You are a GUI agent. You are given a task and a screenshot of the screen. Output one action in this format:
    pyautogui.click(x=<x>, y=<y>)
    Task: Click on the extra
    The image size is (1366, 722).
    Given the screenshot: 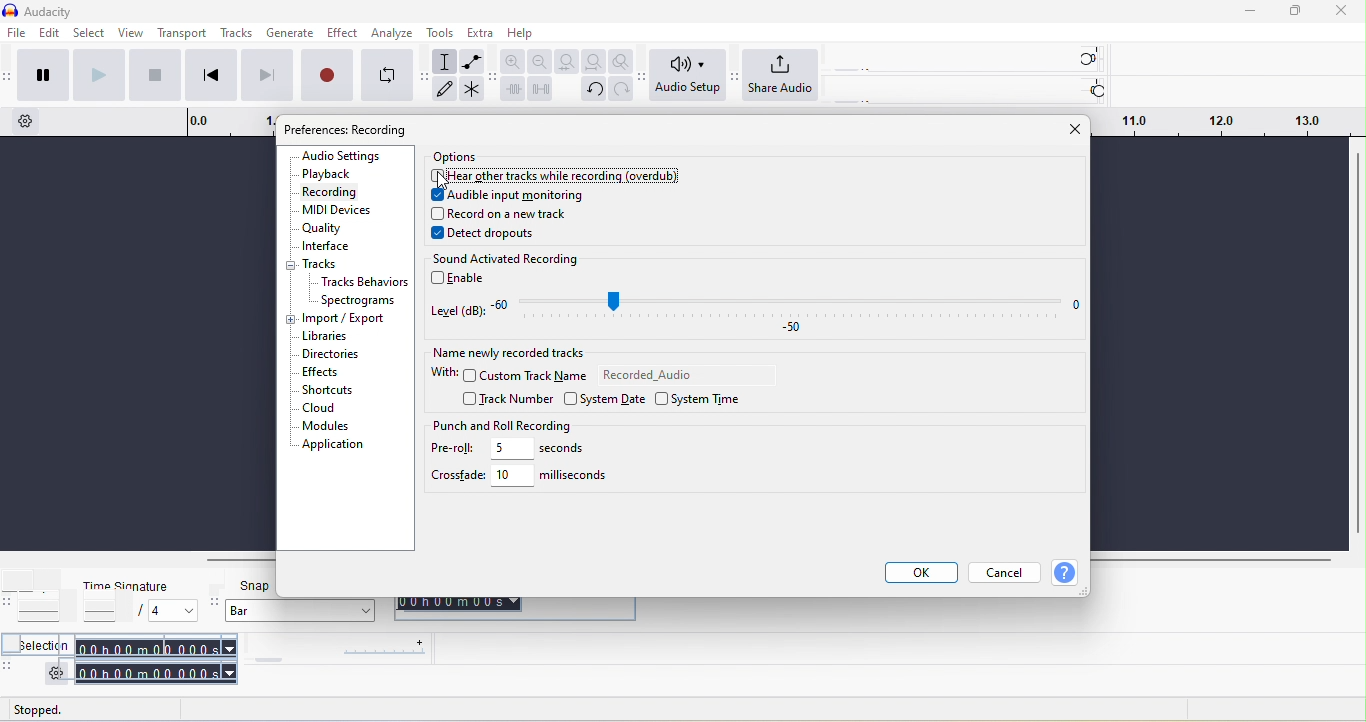 What is the action you would take?
    pyautogui.click(x=479, y=32)
    